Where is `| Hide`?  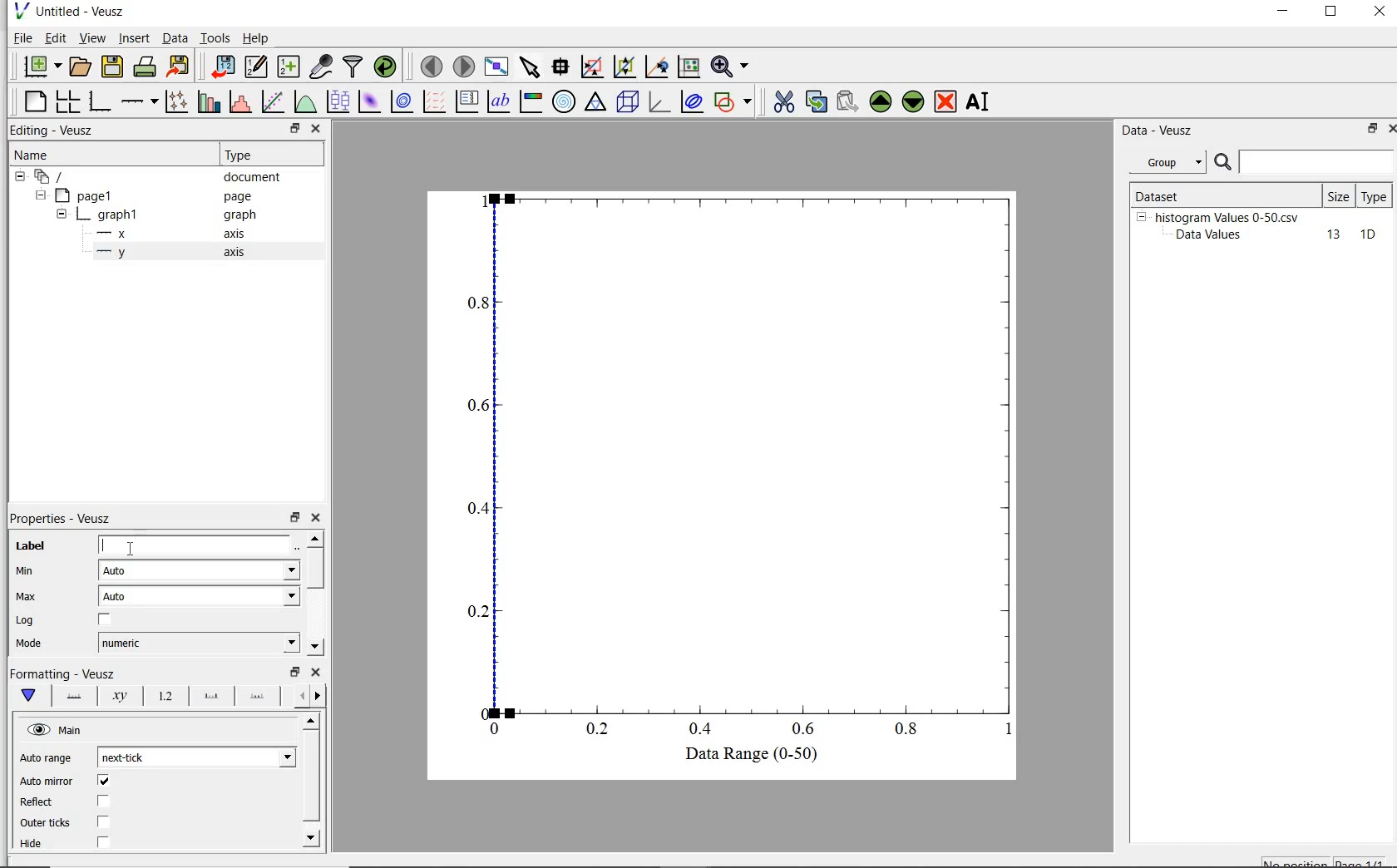
| Hide is located at coordinates (30, 844).